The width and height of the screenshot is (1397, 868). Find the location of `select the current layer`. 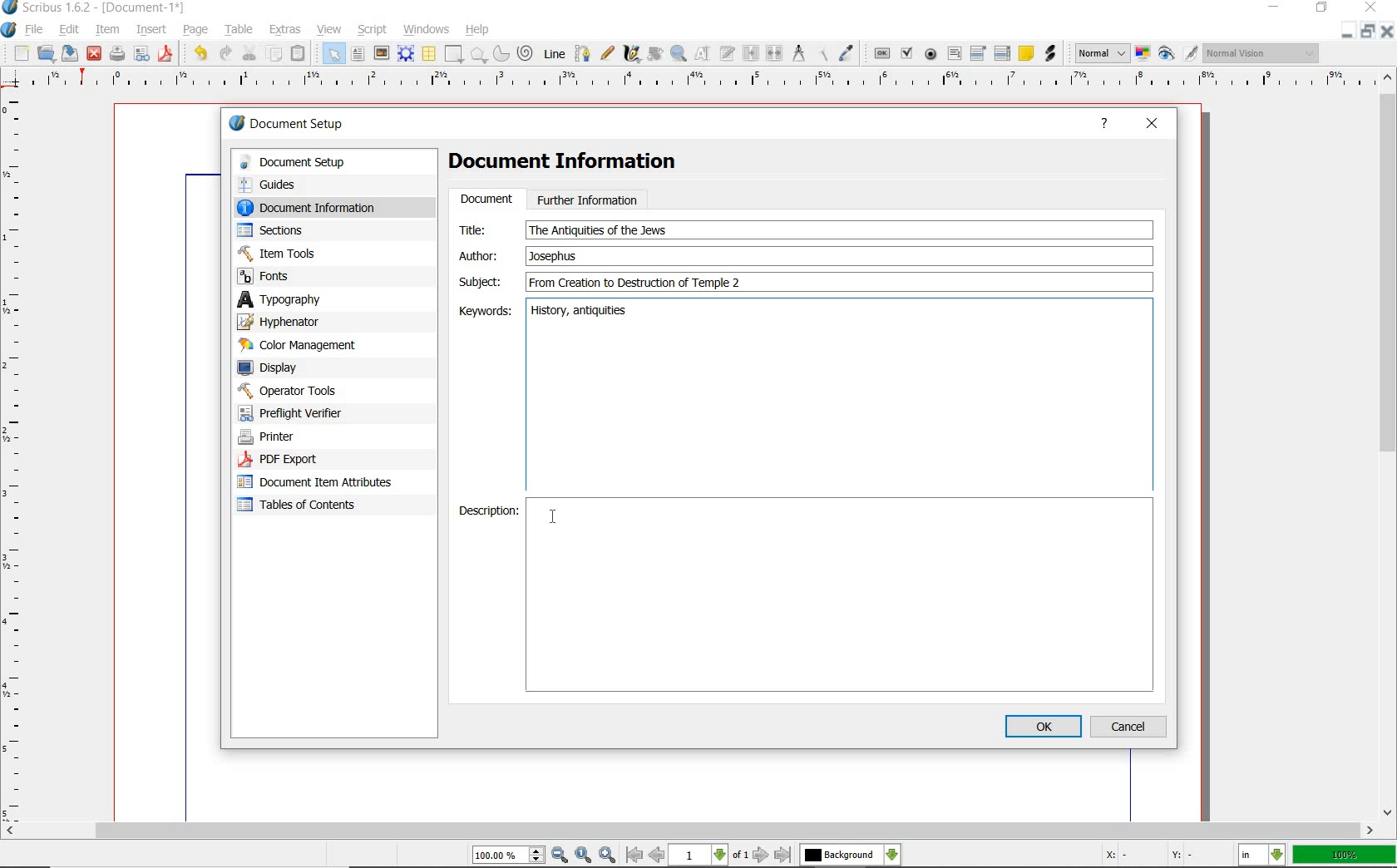

select the current layer is located at coordinates (851, 855).